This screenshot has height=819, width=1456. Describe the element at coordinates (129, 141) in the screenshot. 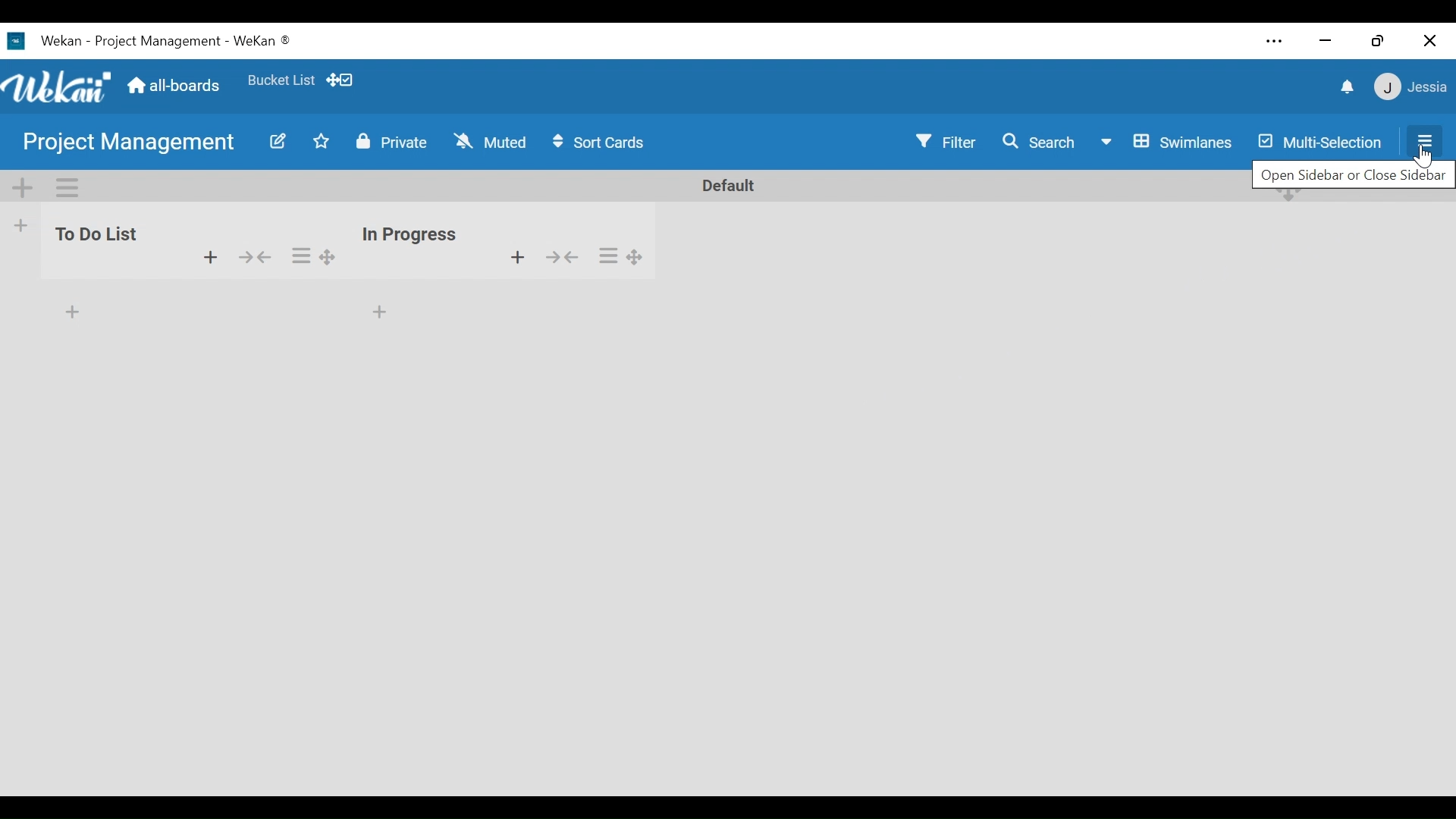

I see `Board Name` at that location.